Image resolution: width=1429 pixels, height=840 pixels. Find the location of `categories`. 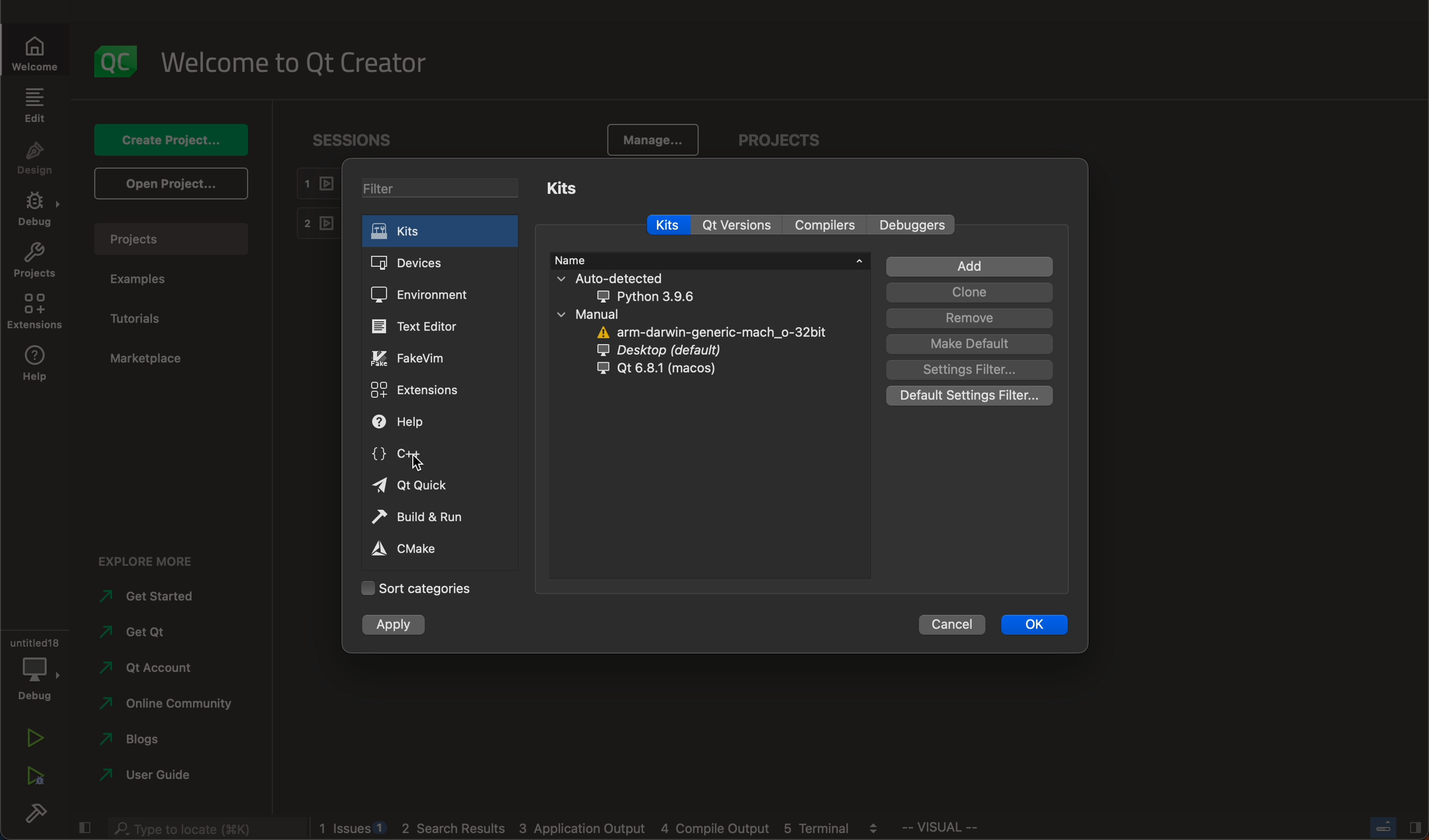

categories is located at coordinates (416, 588).